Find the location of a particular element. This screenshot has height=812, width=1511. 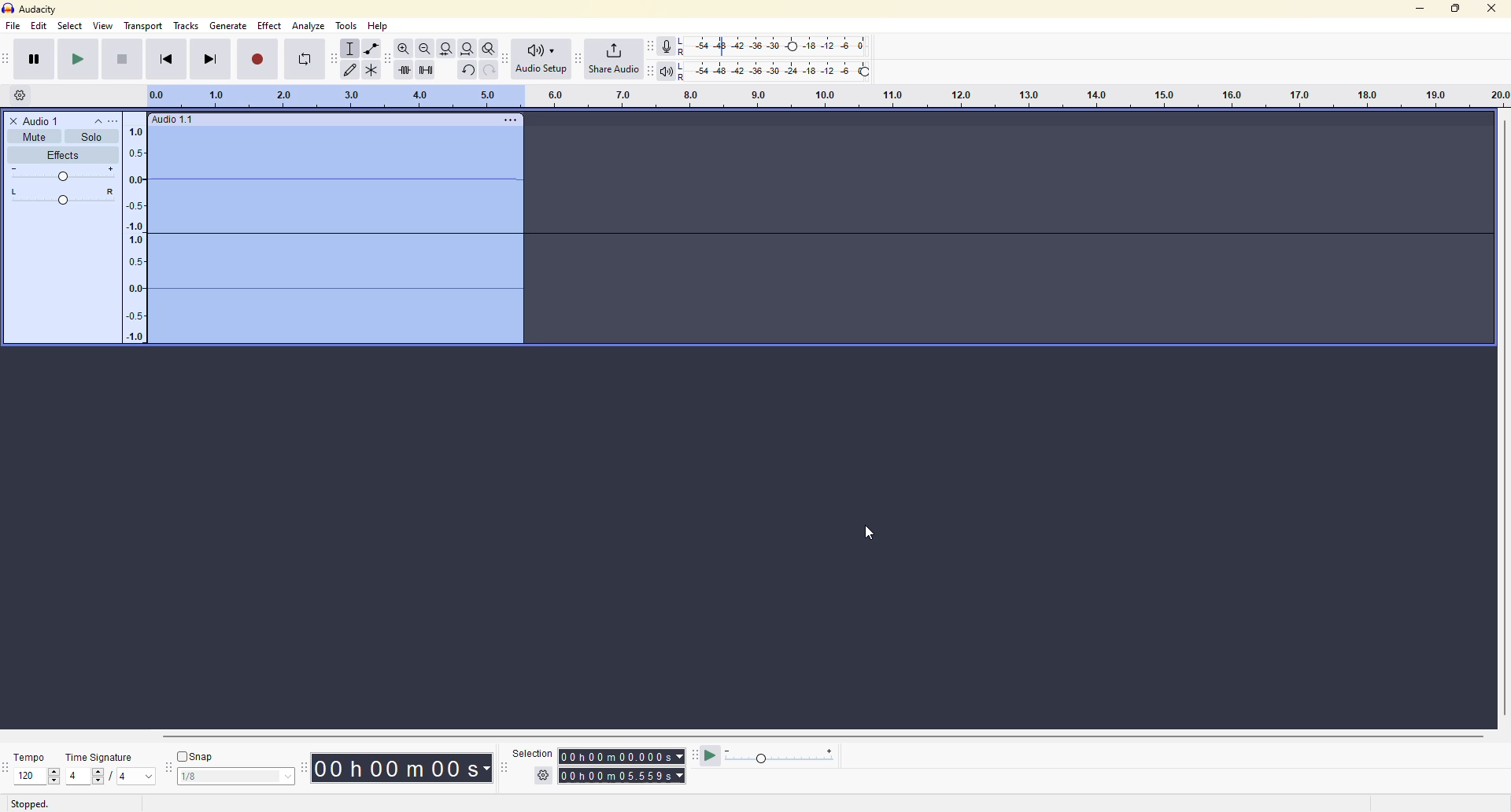

playback level is located at coordinates (773, 69).